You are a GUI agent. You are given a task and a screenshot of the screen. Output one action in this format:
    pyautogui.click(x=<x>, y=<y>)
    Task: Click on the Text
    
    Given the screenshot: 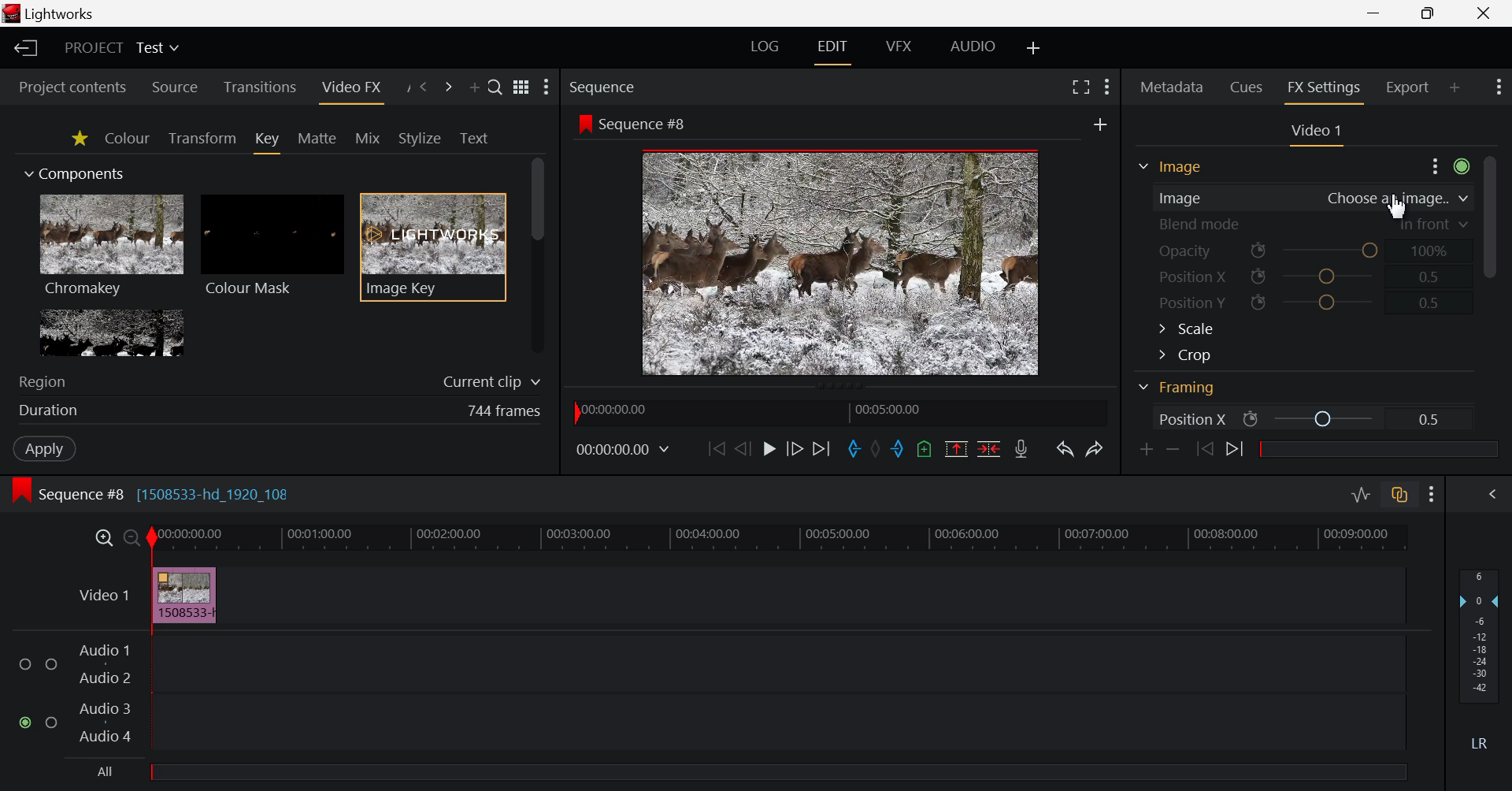 What is the action you would take?
    pyautogui.click(x=473, y=138)
    